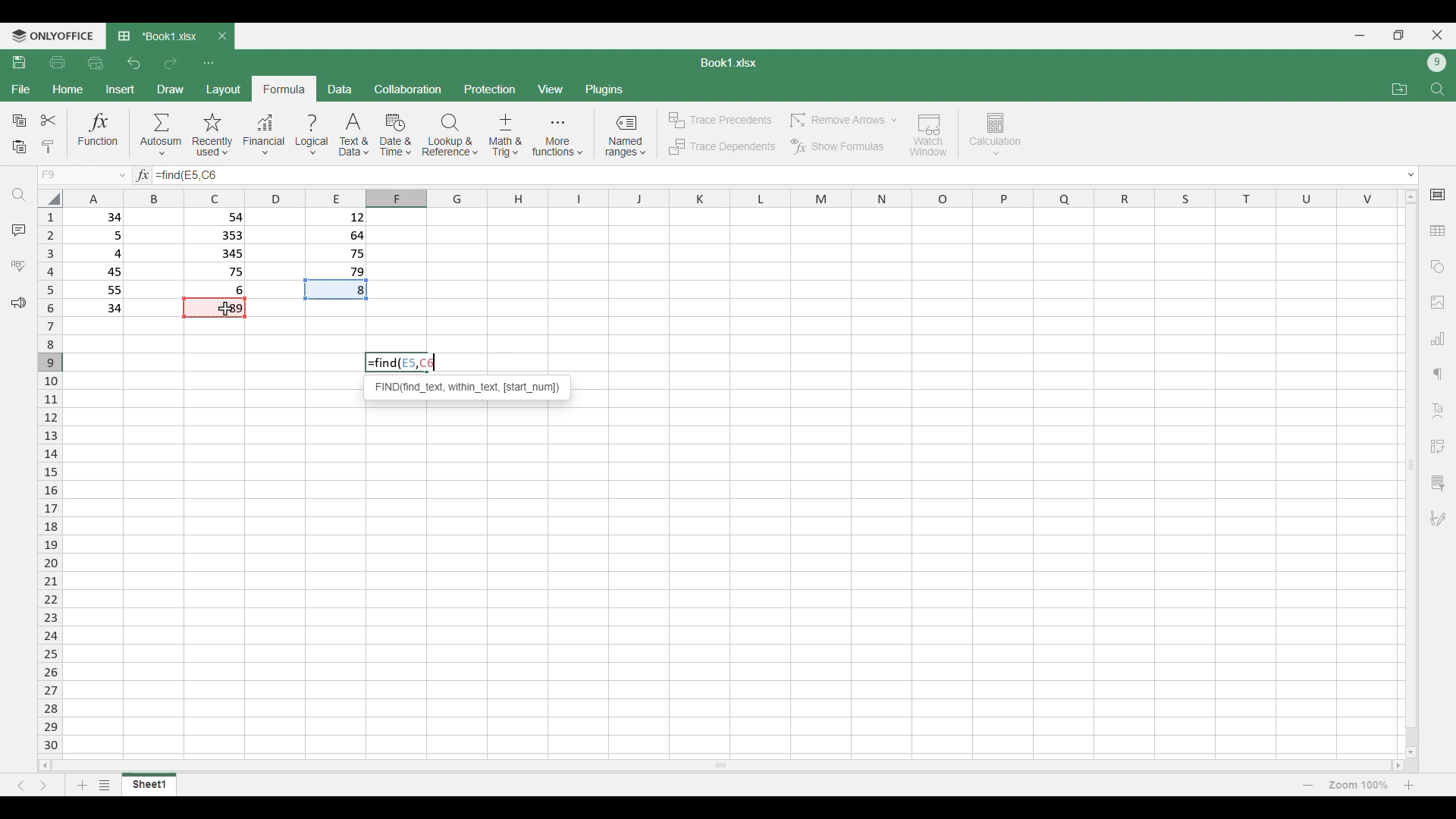 The image size is (1456, 819). Describe the element at coordinates (354, 135) in the screenshot. I see `Text and data` at that location.